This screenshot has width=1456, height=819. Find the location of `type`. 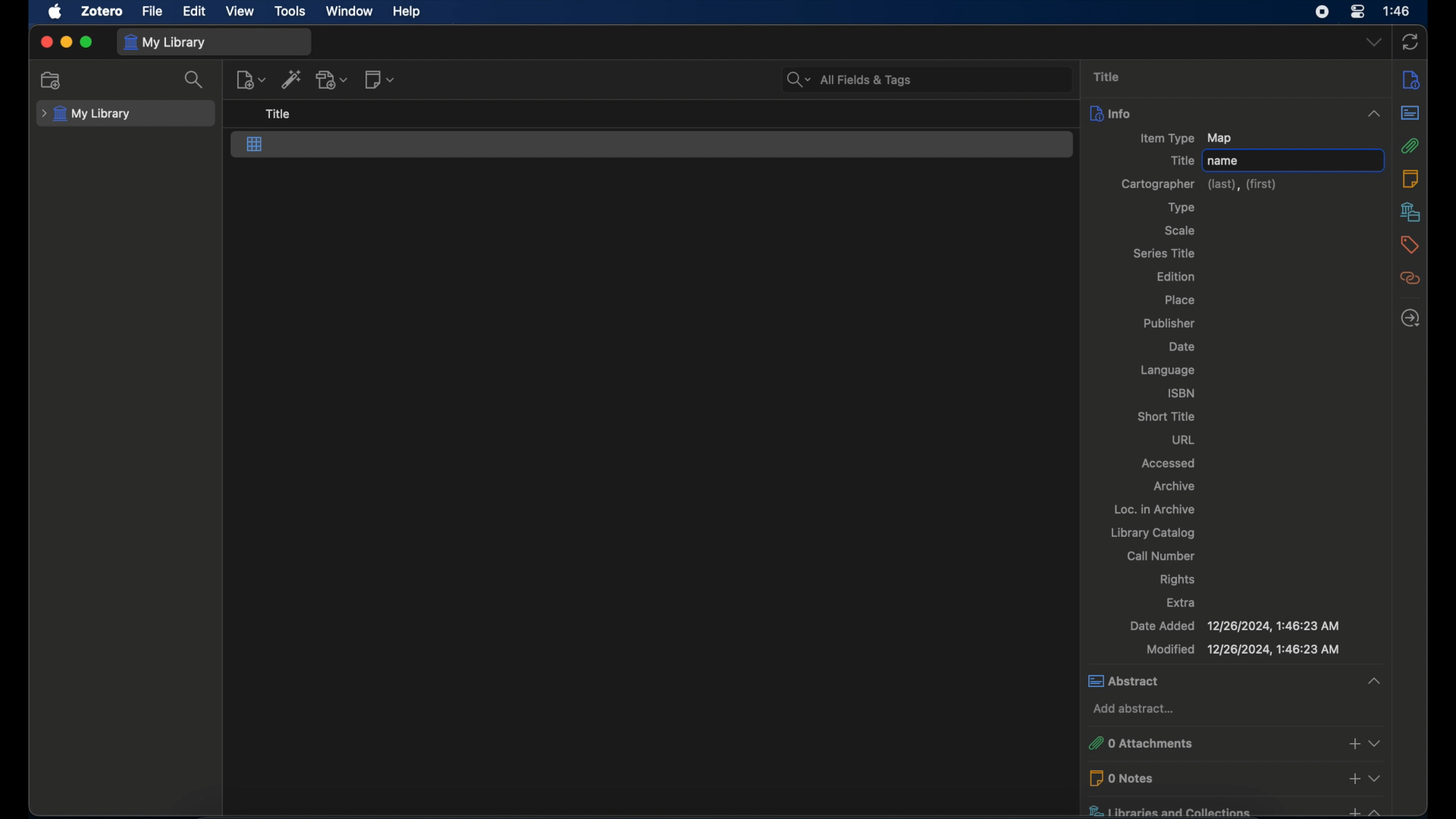

type is located at coordinates (1183, 208).